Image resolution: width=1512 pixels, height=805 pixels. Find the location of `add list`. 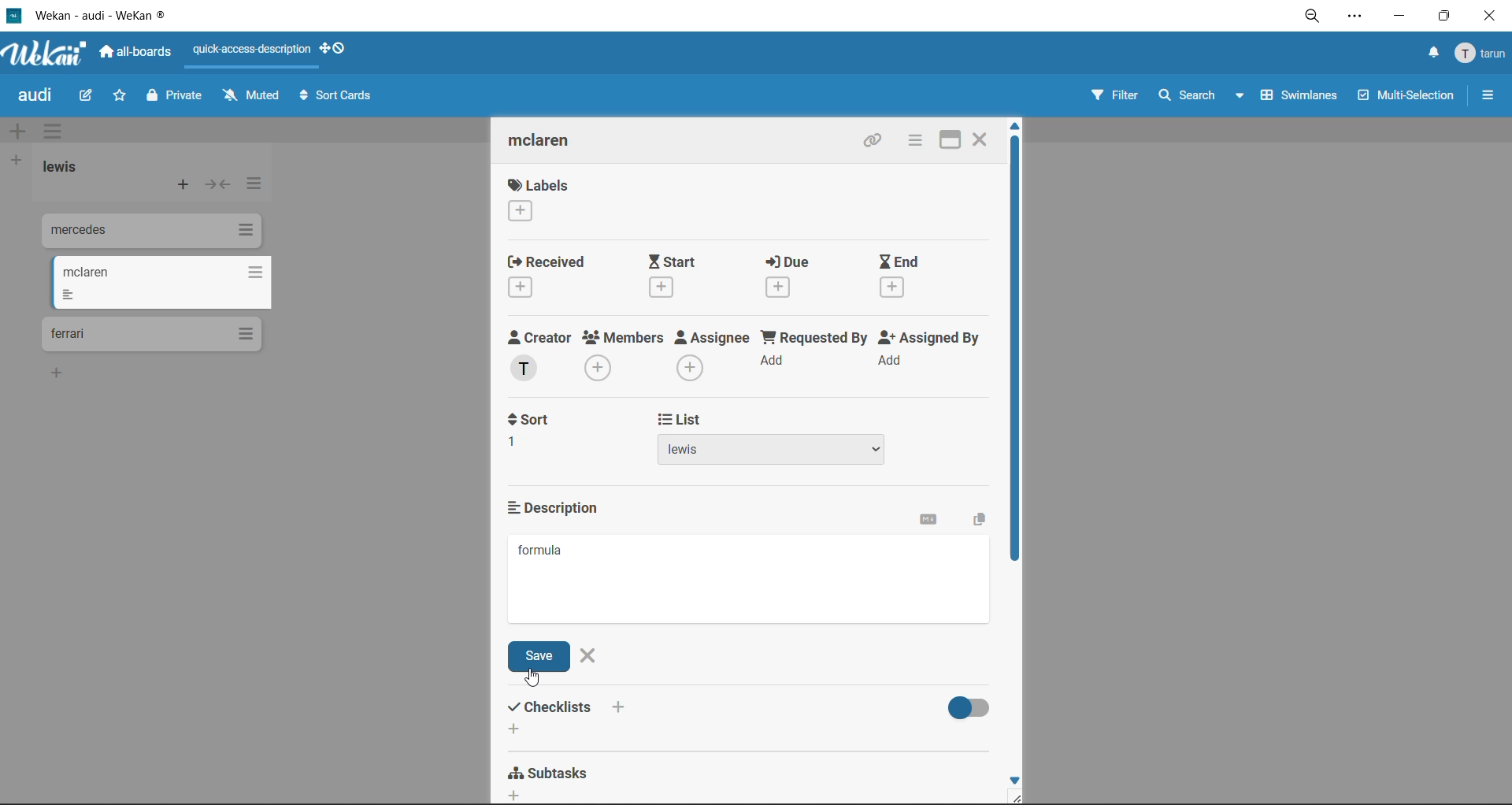

add list is located at coordinates (15, 161).